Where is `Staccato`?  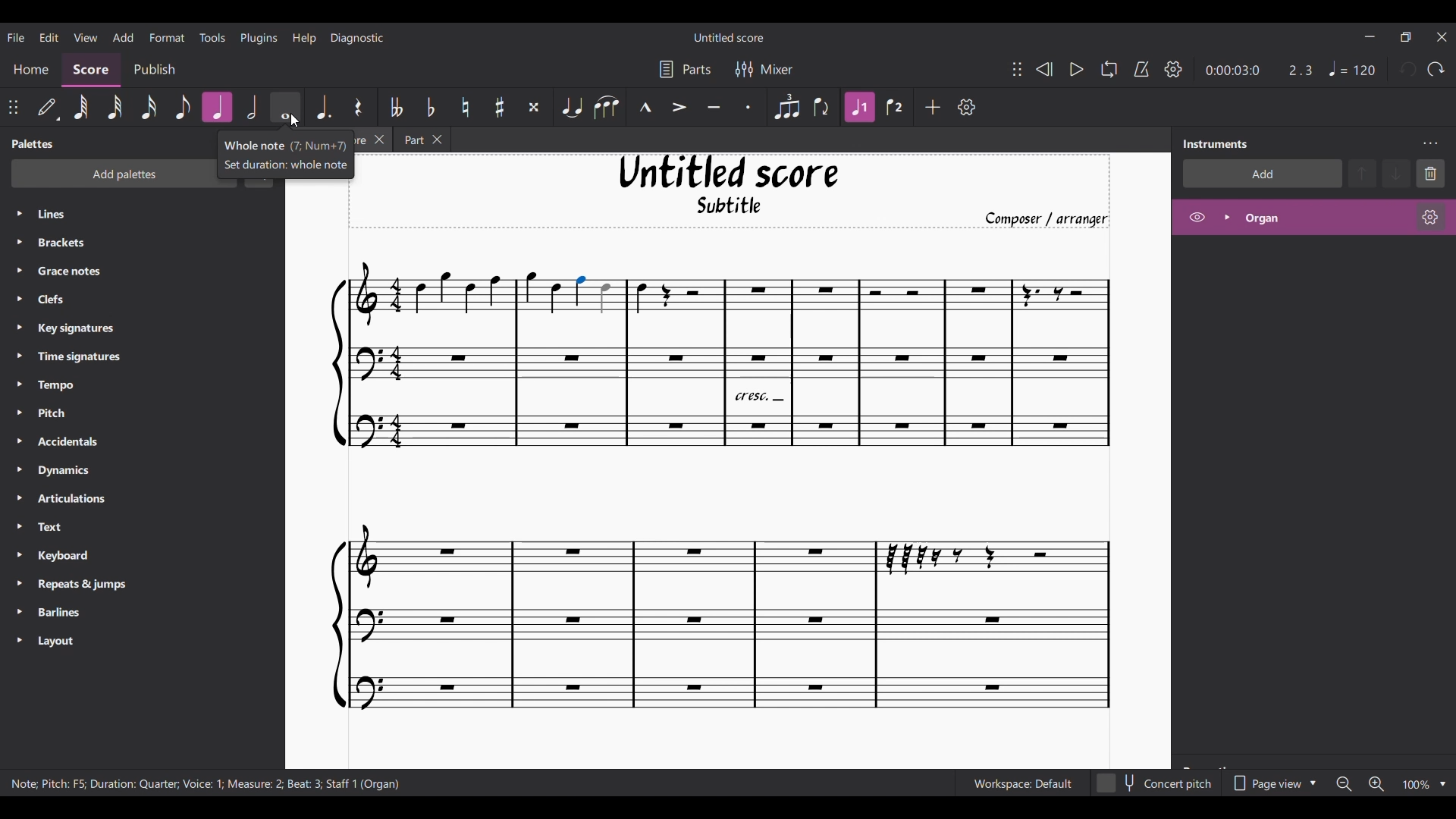
Staccato is located at coordinates (748, 107).